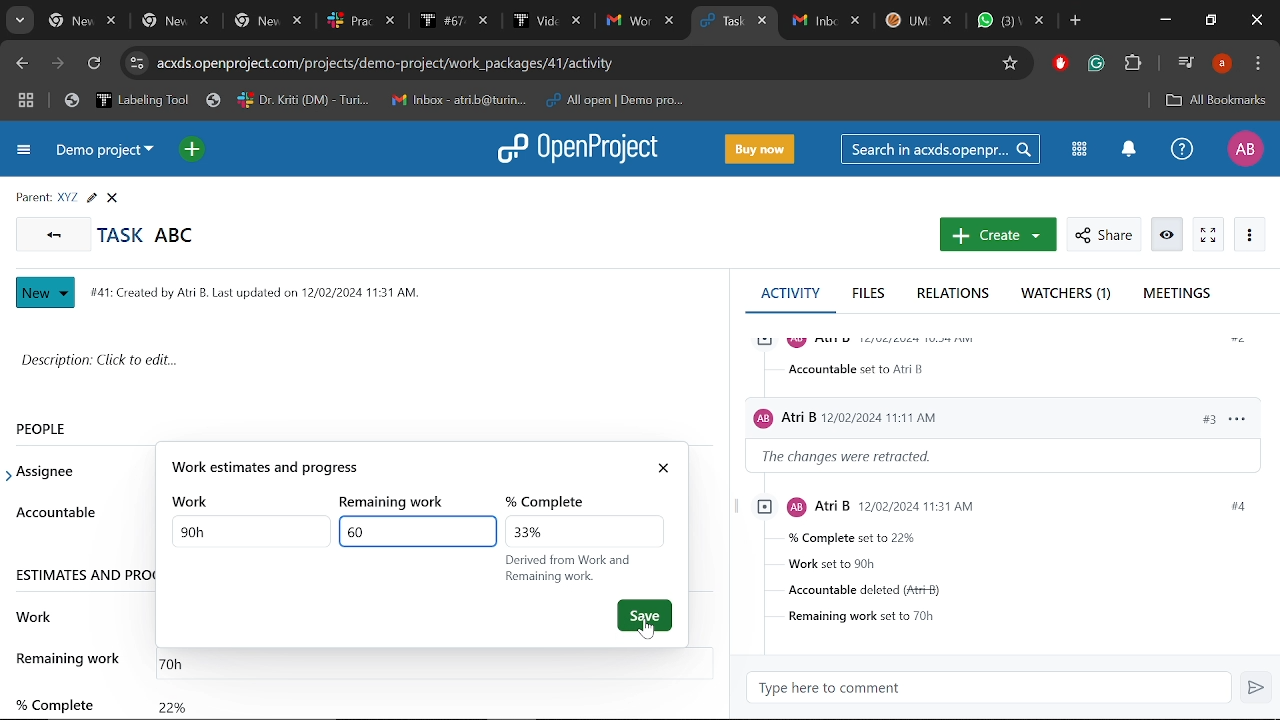 This screenshot has width=1280, height=720. What do you see at coordinates (1182, 151) in the screenshot?
I see `Help` at bounding box center [1182, 151].